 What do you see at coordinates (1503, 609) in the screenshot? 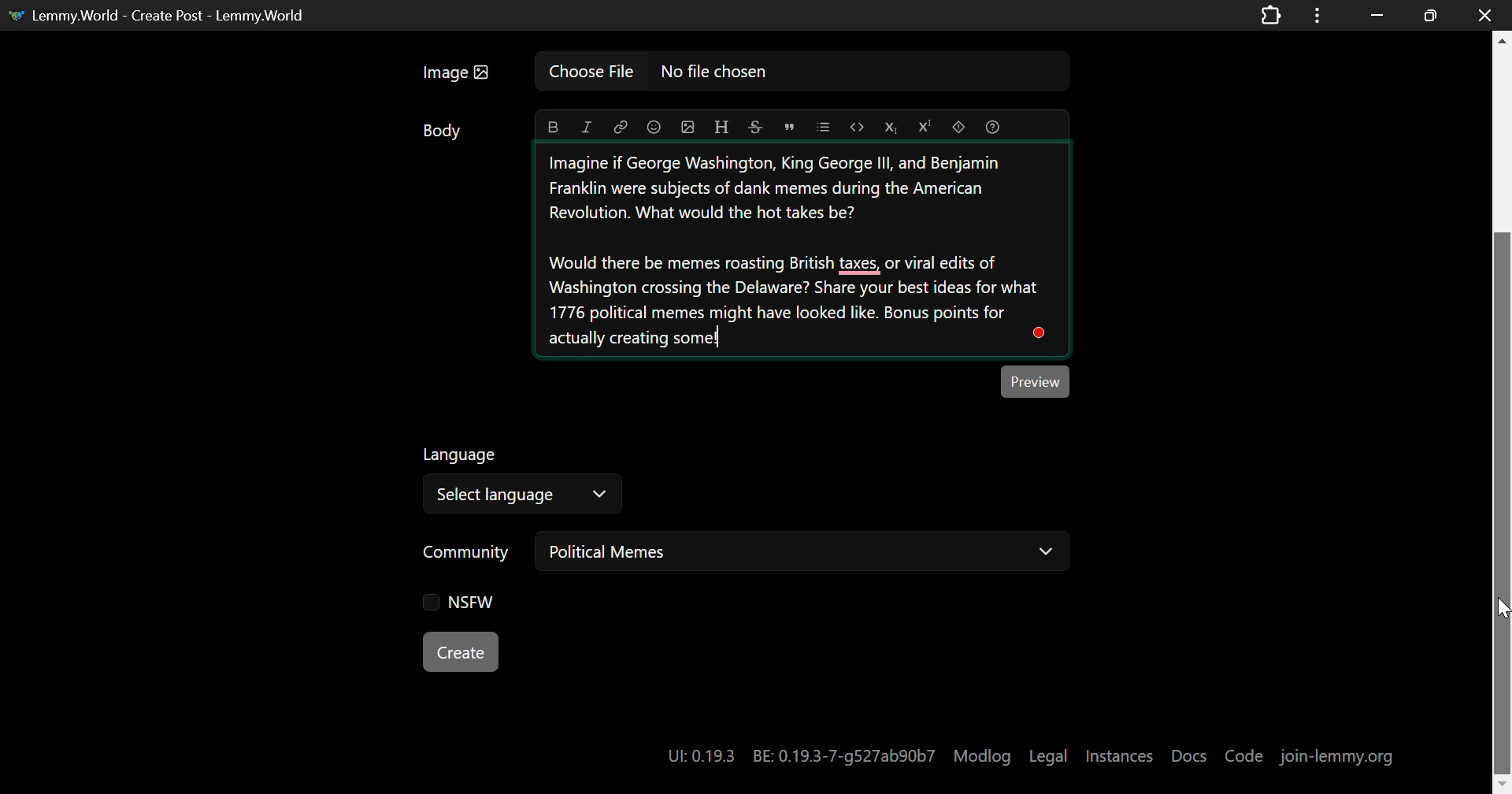
I see `MOUSE_UP Cursor Position` at bounding box center [1503, 609].